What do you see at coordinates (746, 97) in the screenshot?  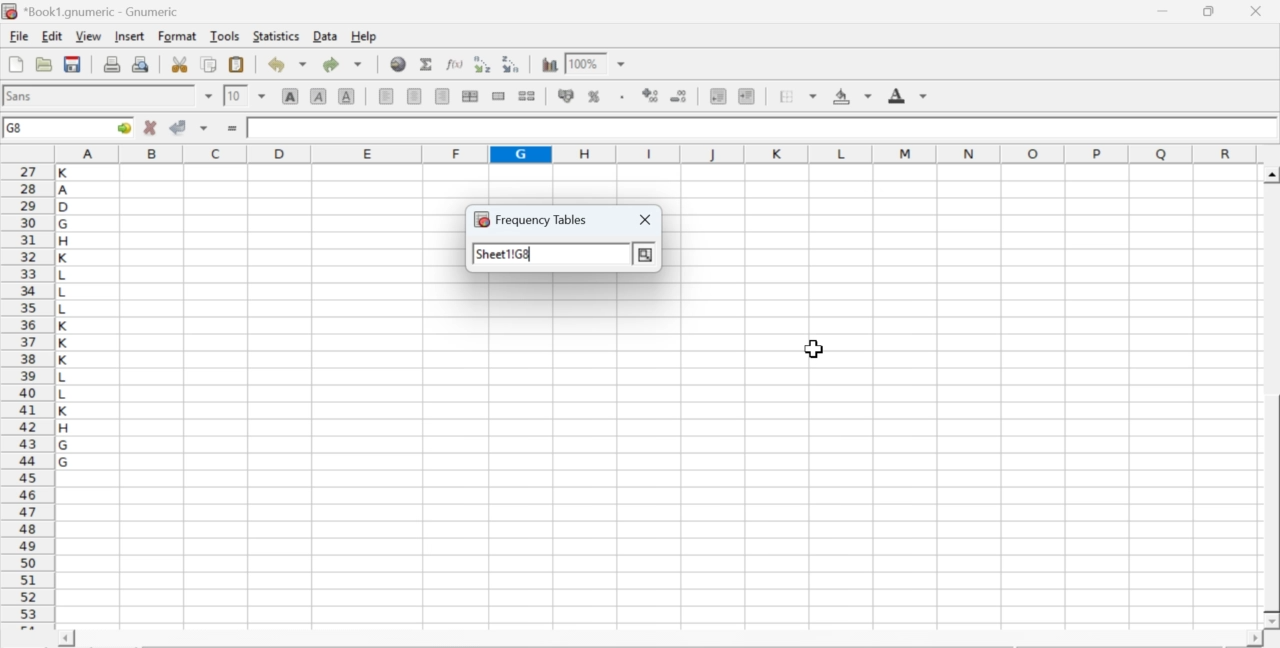 I see `increase indent` at bounding box center [746, 97].